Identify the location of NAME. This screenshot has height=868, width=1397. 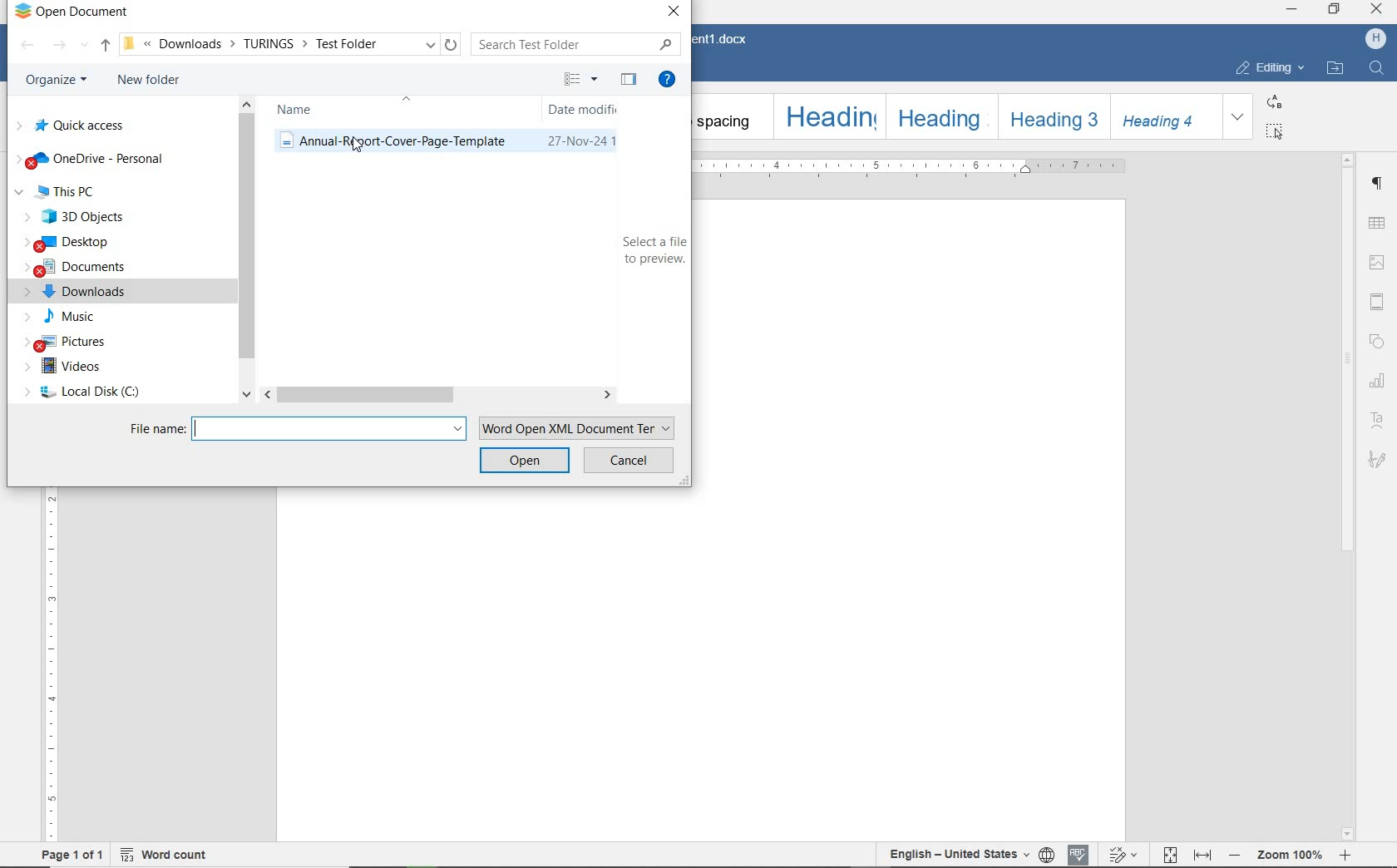
(297, 110).